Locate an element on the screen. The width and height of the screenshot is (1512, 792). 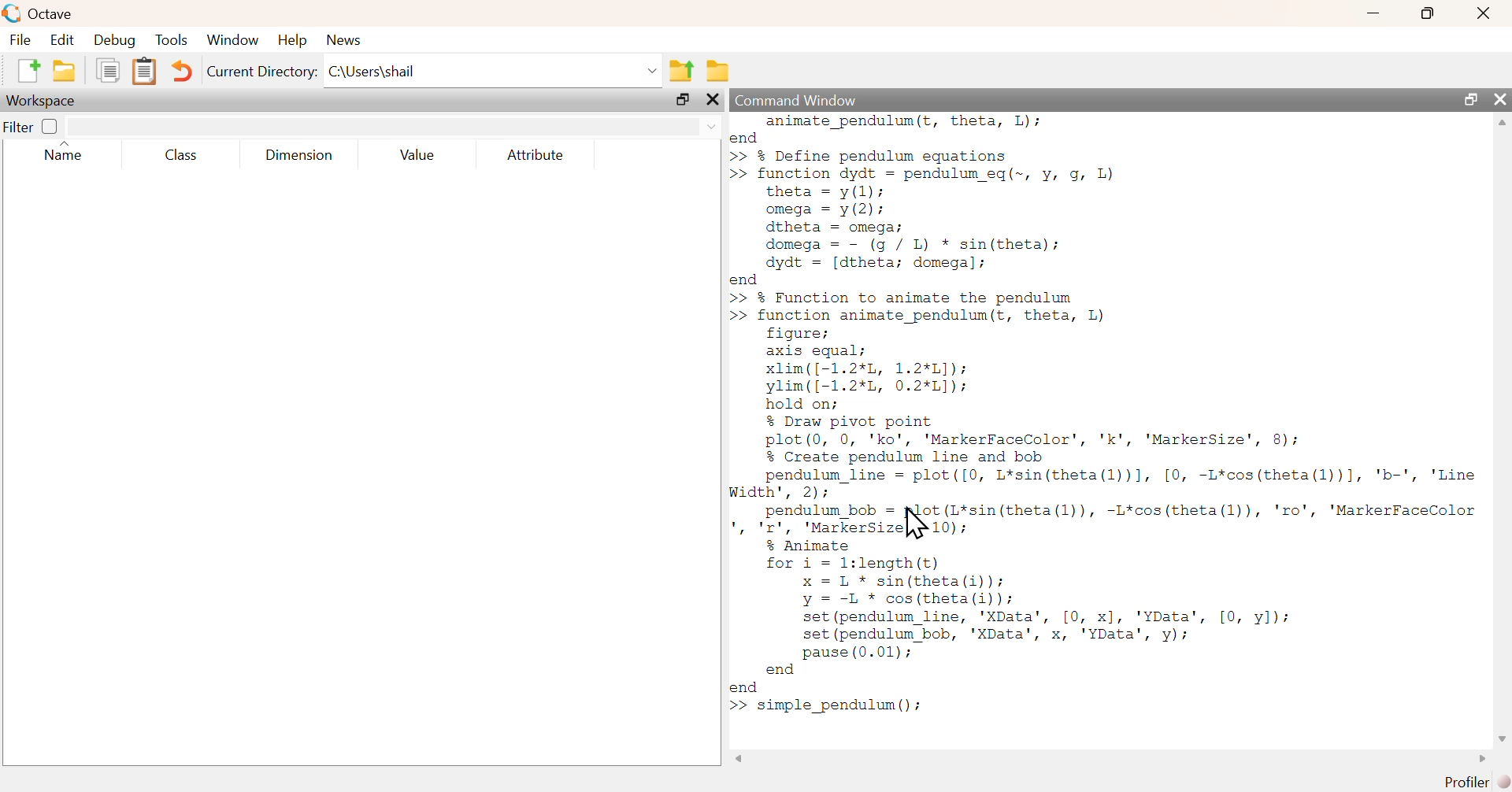
Close is located at coordinates (716, 101).